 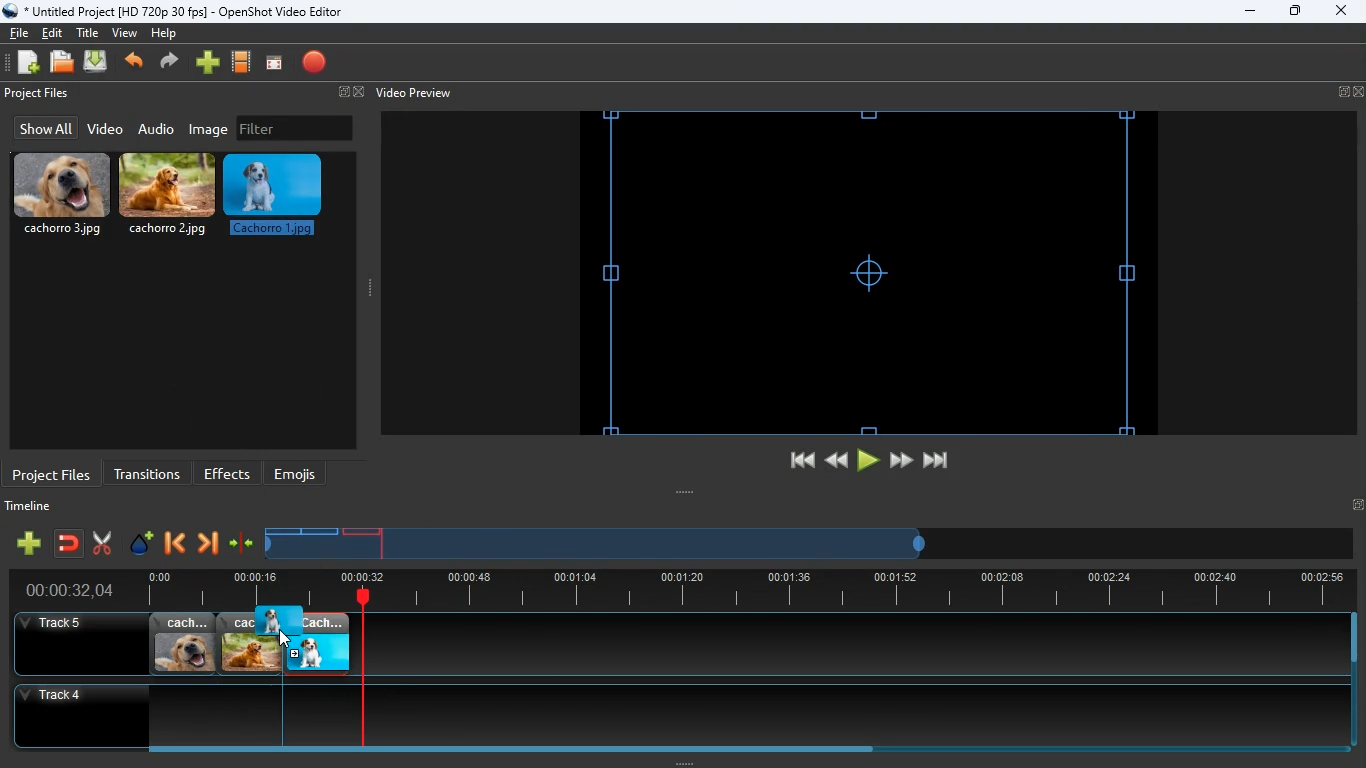 What do you see at coordinates (28, 543) in the screenshot?
I see `add` at bounding box center [28, 543].